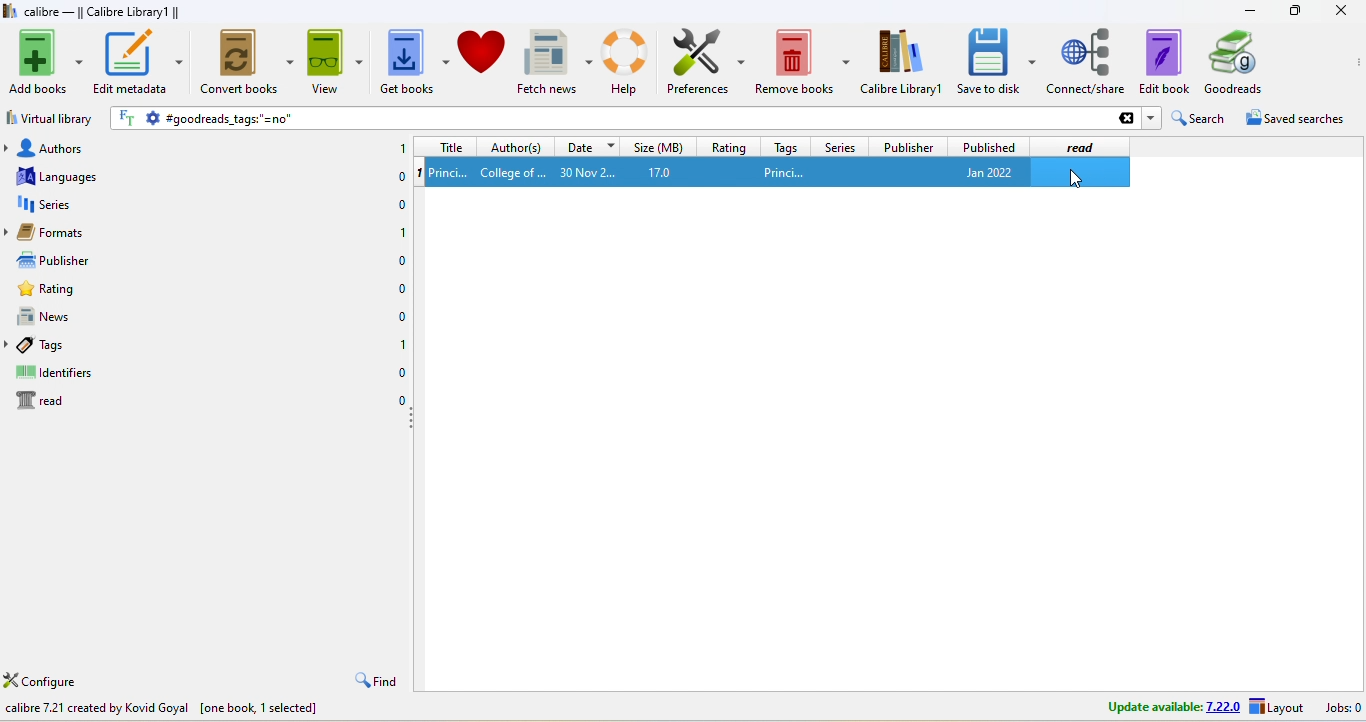 Image resolution: width=1366 pixels, height=722 pixels. I want to click on settings, so click(152, 119).